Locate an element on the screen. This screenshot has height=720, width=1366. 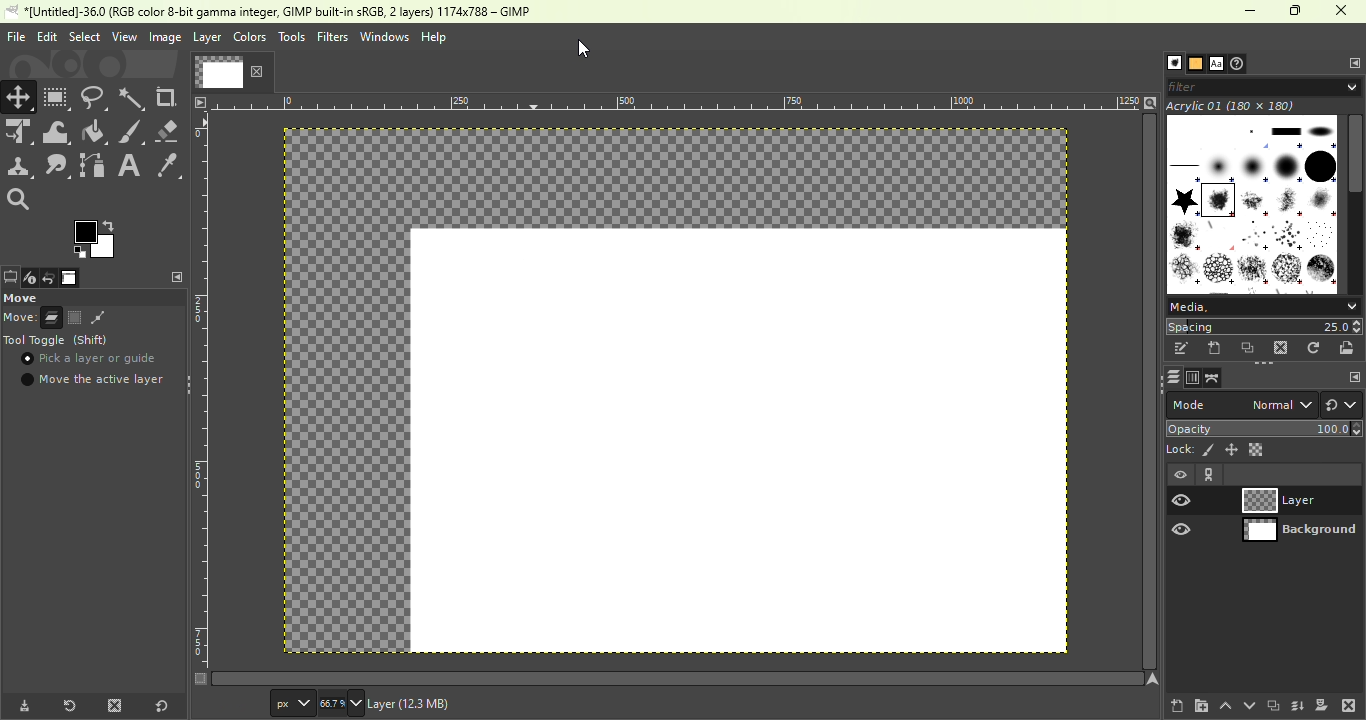
Ruler measurement is located at coordinates (292, 702).